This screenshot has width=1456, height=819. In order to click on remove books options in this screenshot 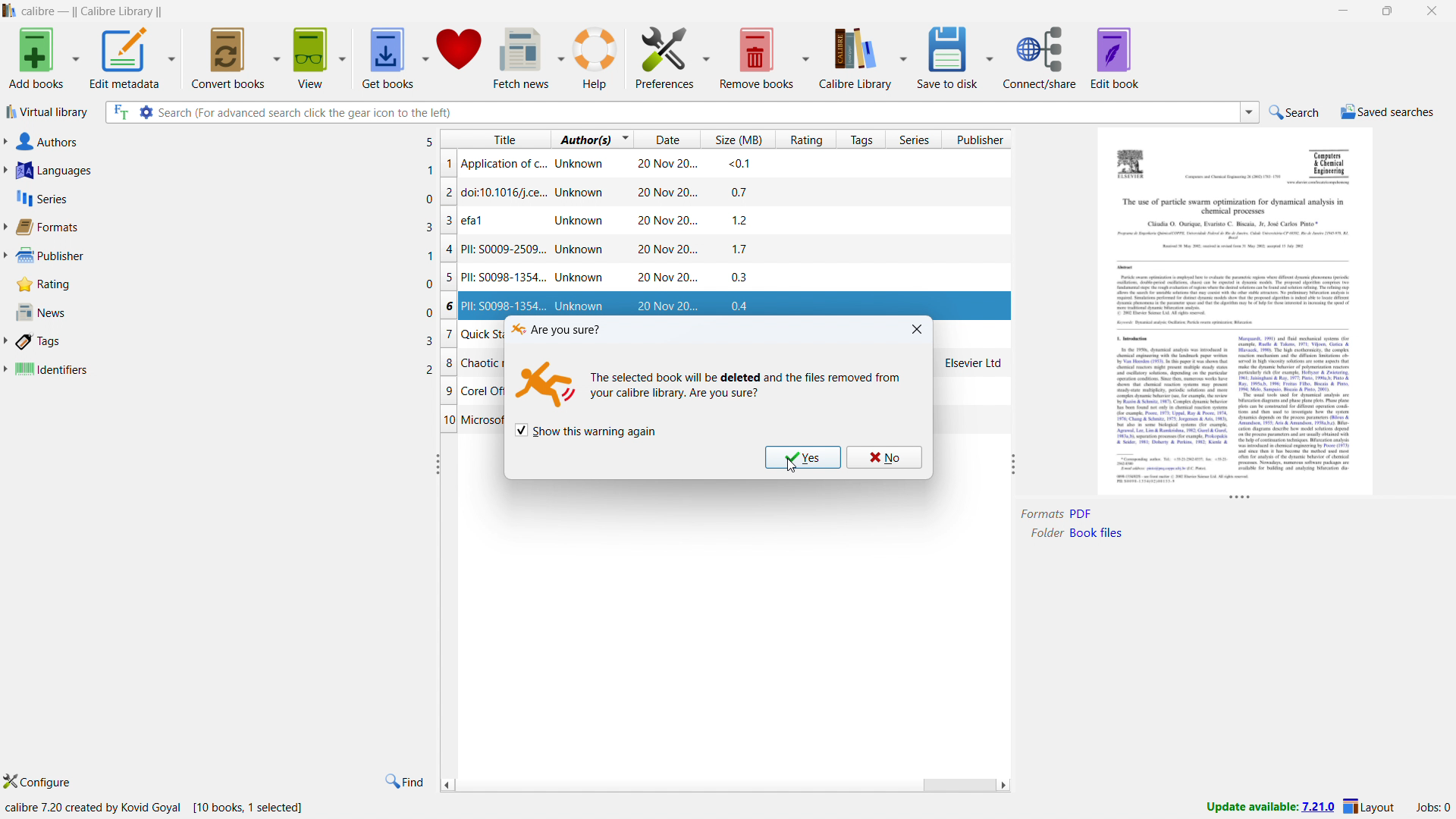, I will do `click(805, 56)`.